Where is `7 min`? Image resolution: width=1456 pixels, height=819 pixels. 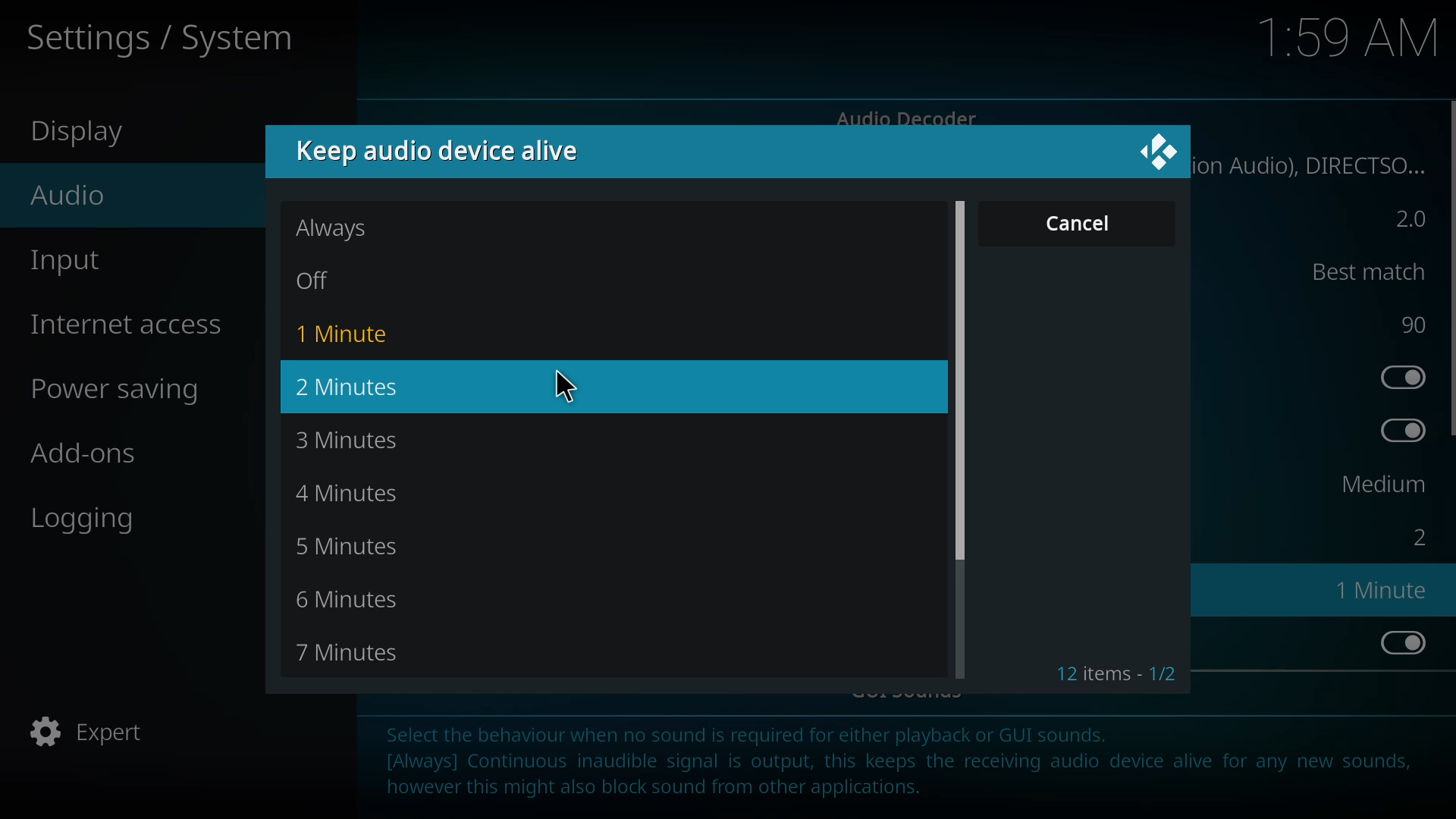 7 min is located at coordinates (356, 654).